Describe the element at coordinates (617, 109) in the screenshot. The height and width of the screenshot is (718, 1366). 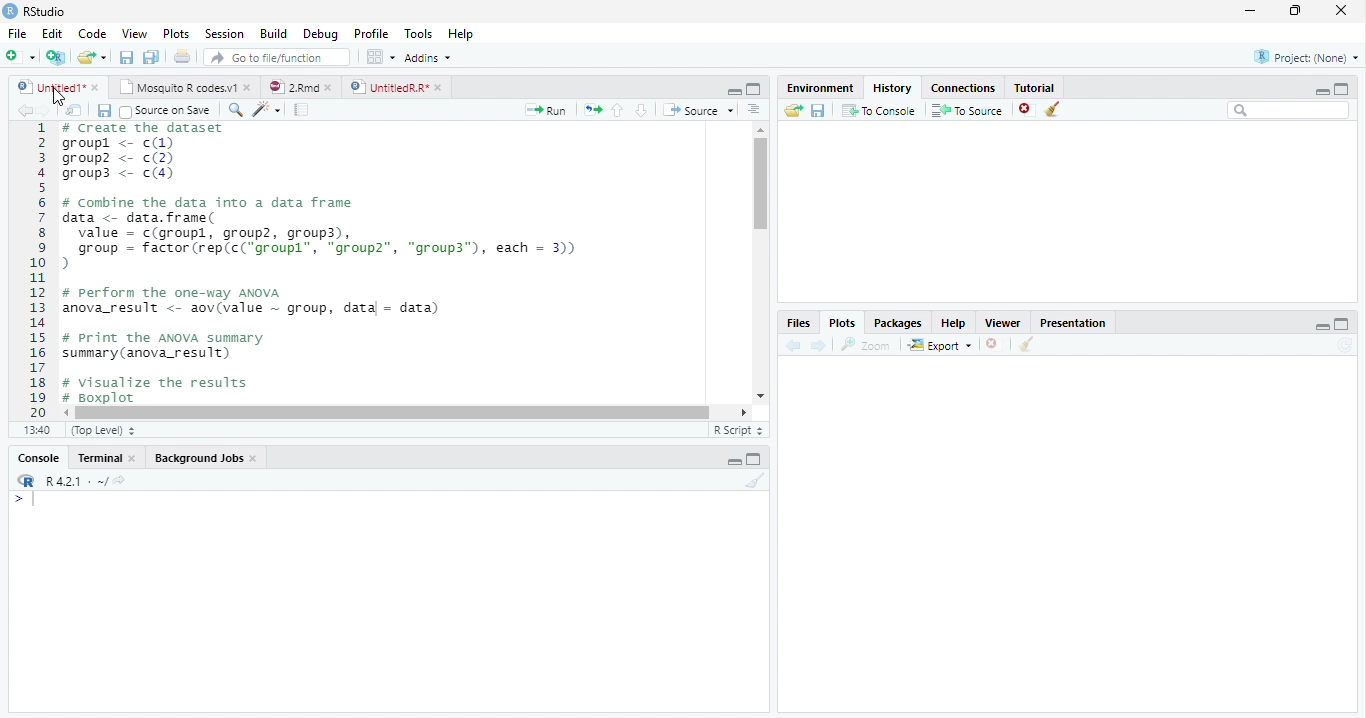
I see `Go to previous section` at that location.